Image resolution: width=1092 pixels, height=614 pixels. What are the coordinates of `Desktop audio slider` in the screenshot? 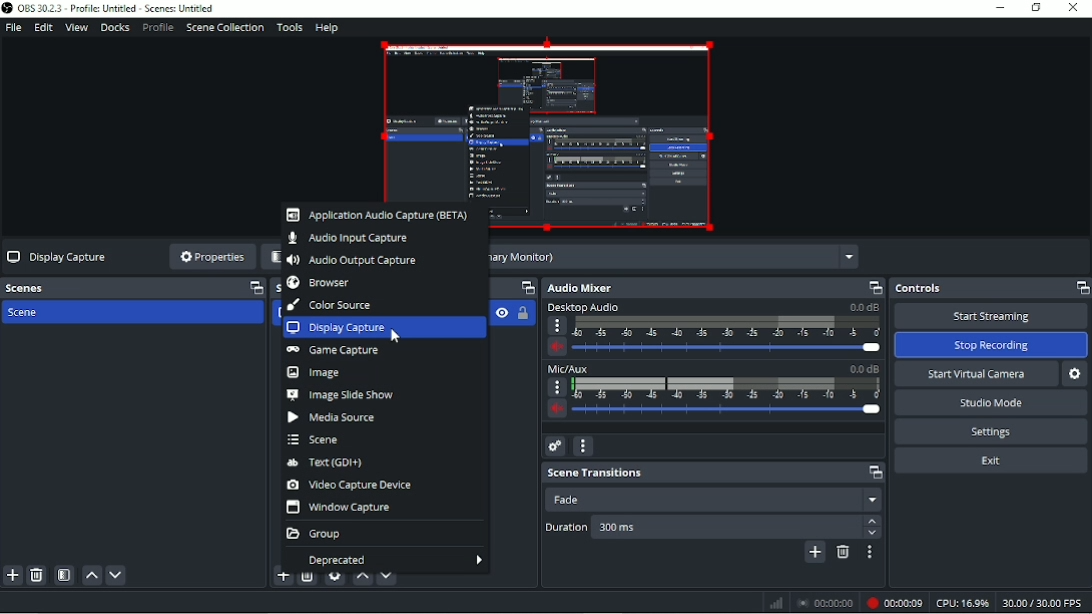 It's located at (713, 329).